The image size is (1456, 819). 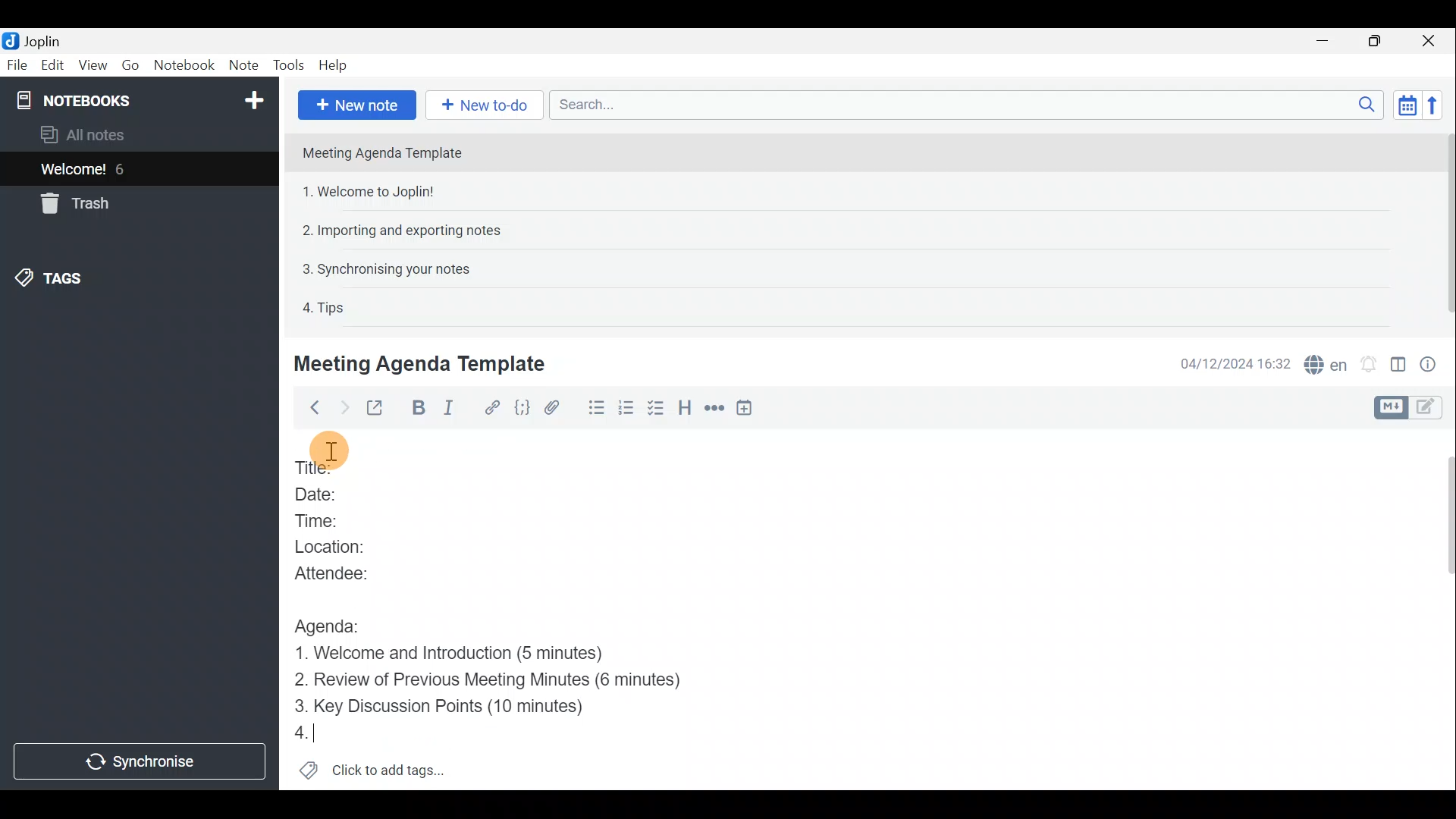 I want to click on Back, so click(x=310, y=410).